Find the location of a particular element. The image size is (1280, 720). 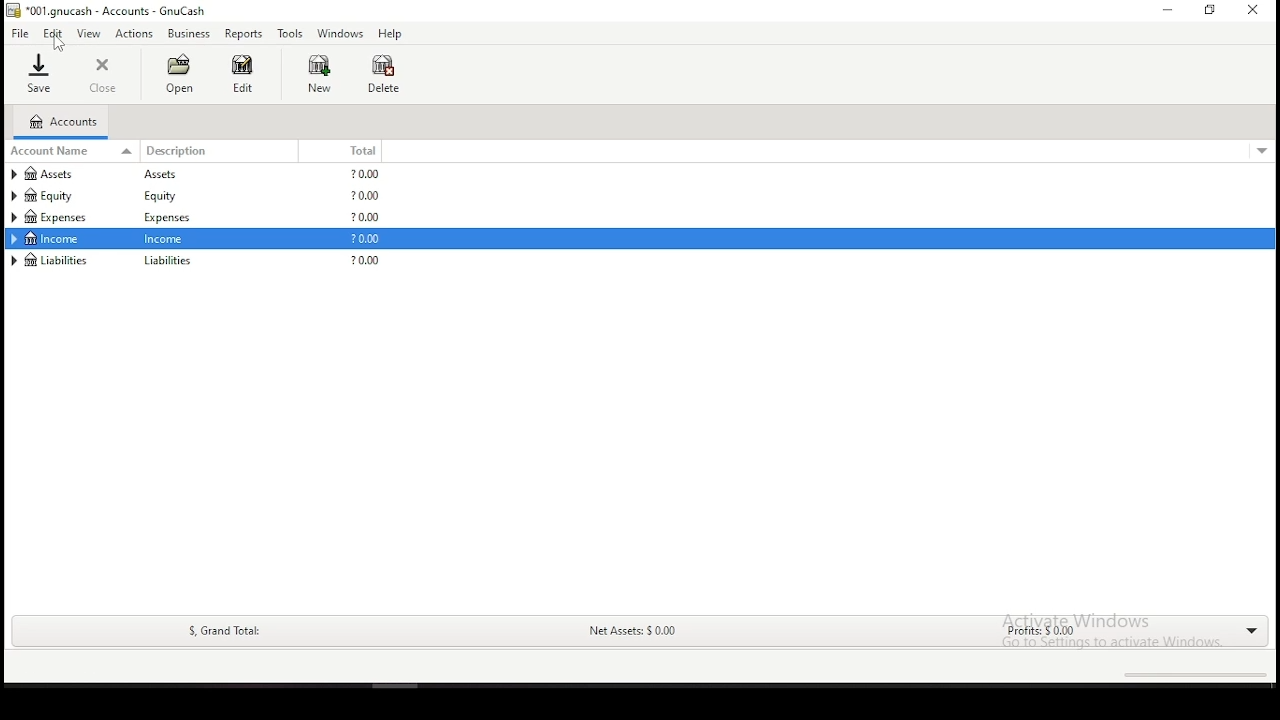

reports is located at coordinates (243, 34).